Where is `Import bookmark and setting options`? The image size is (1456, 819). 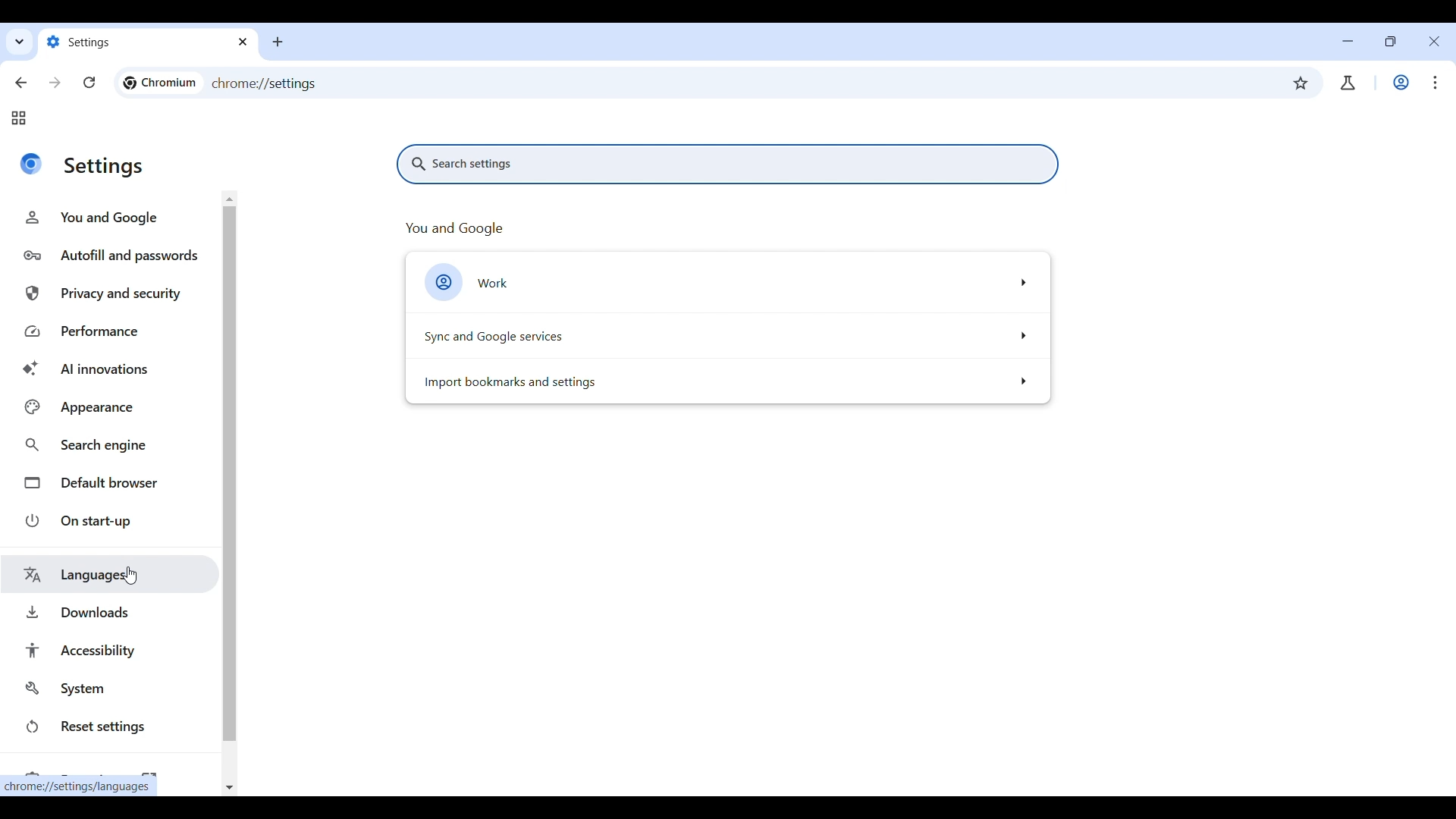 Import bookmark and setting options is located at coordinates (726, 383).